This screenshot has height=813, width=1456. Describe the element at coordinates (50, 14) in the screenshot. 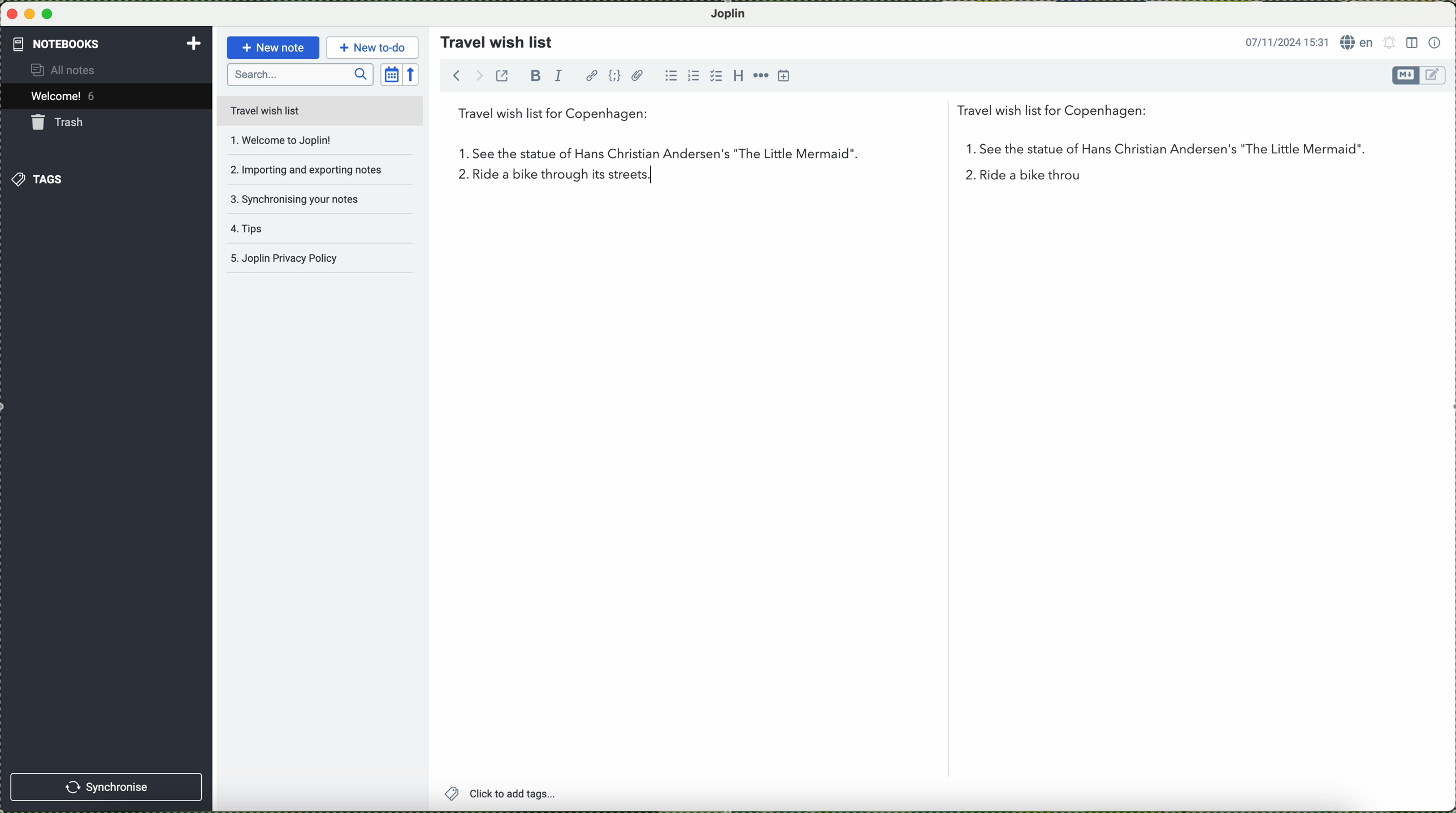

I see `maximize` at that location.